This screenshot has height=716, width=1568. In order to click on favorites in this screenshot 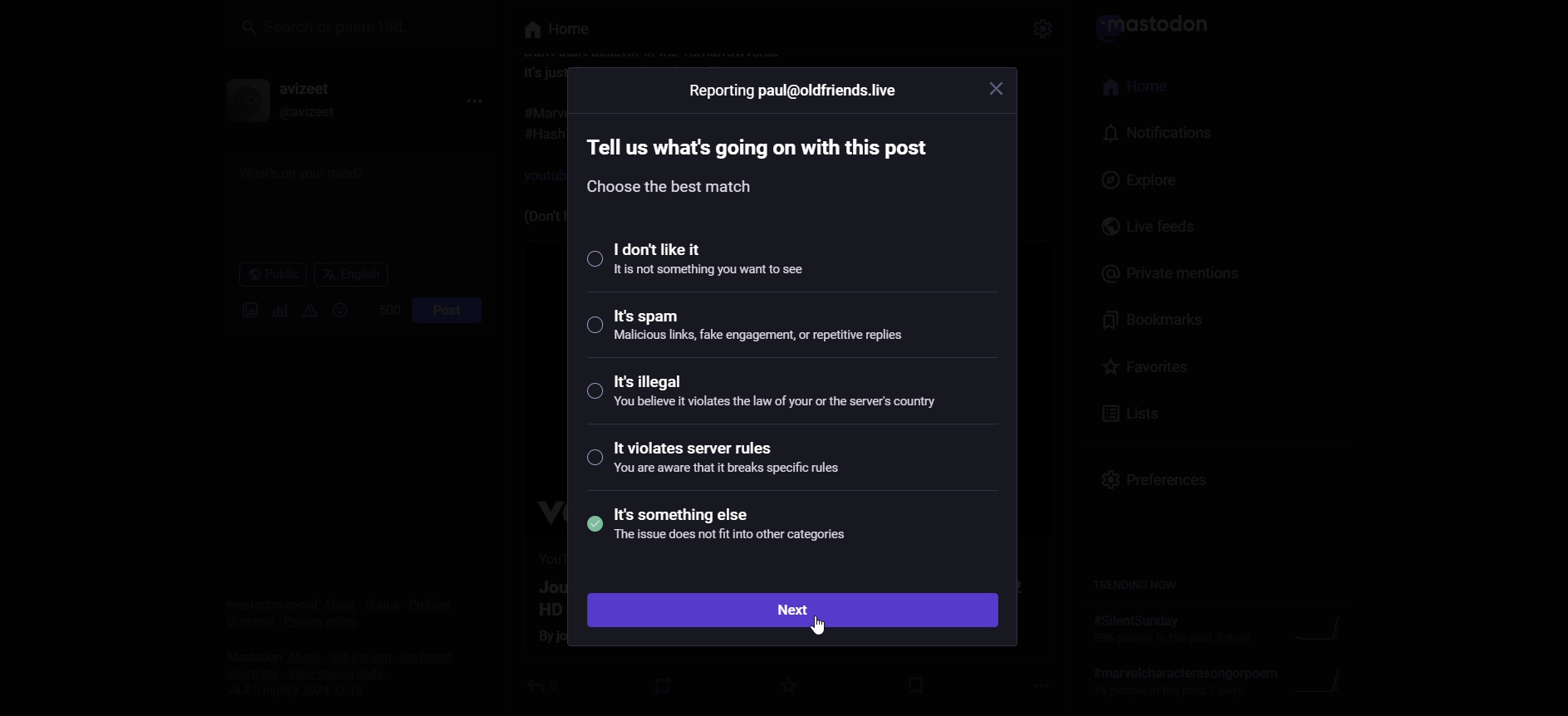, I will do `click(1144, 365)`.